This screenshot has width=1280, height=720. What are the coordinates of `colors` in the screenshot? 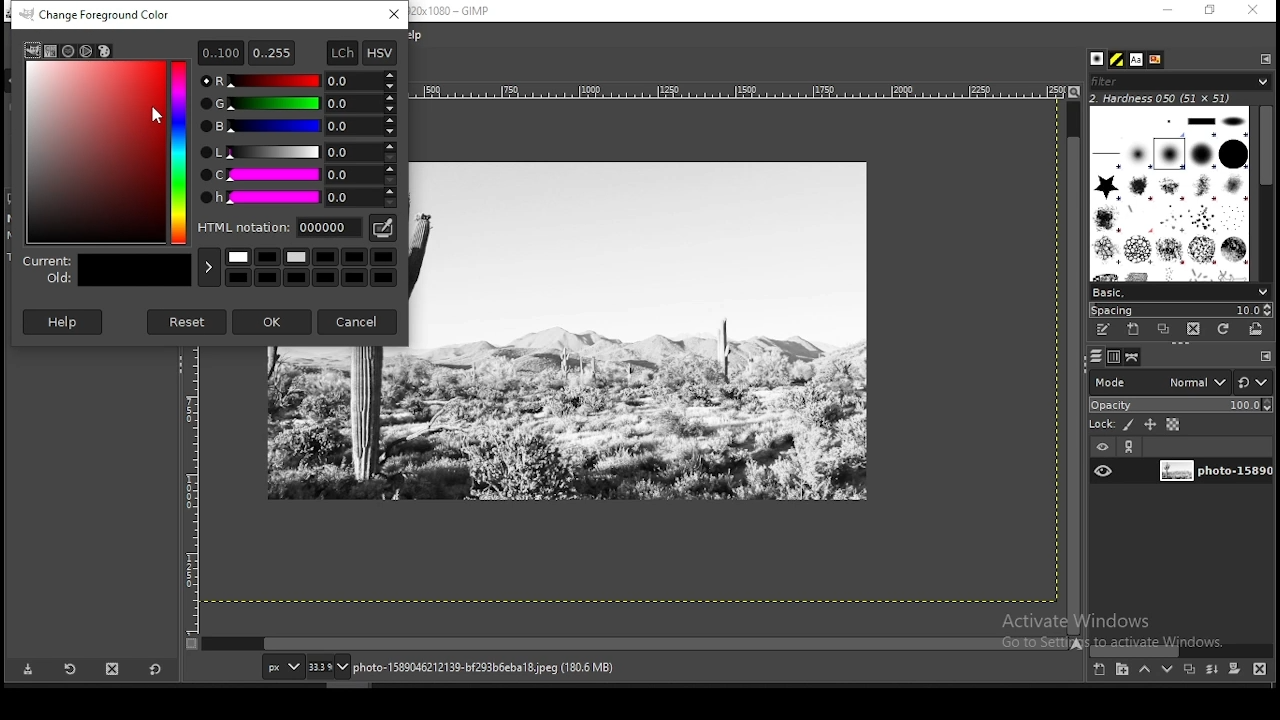 It's located at (311, 269).